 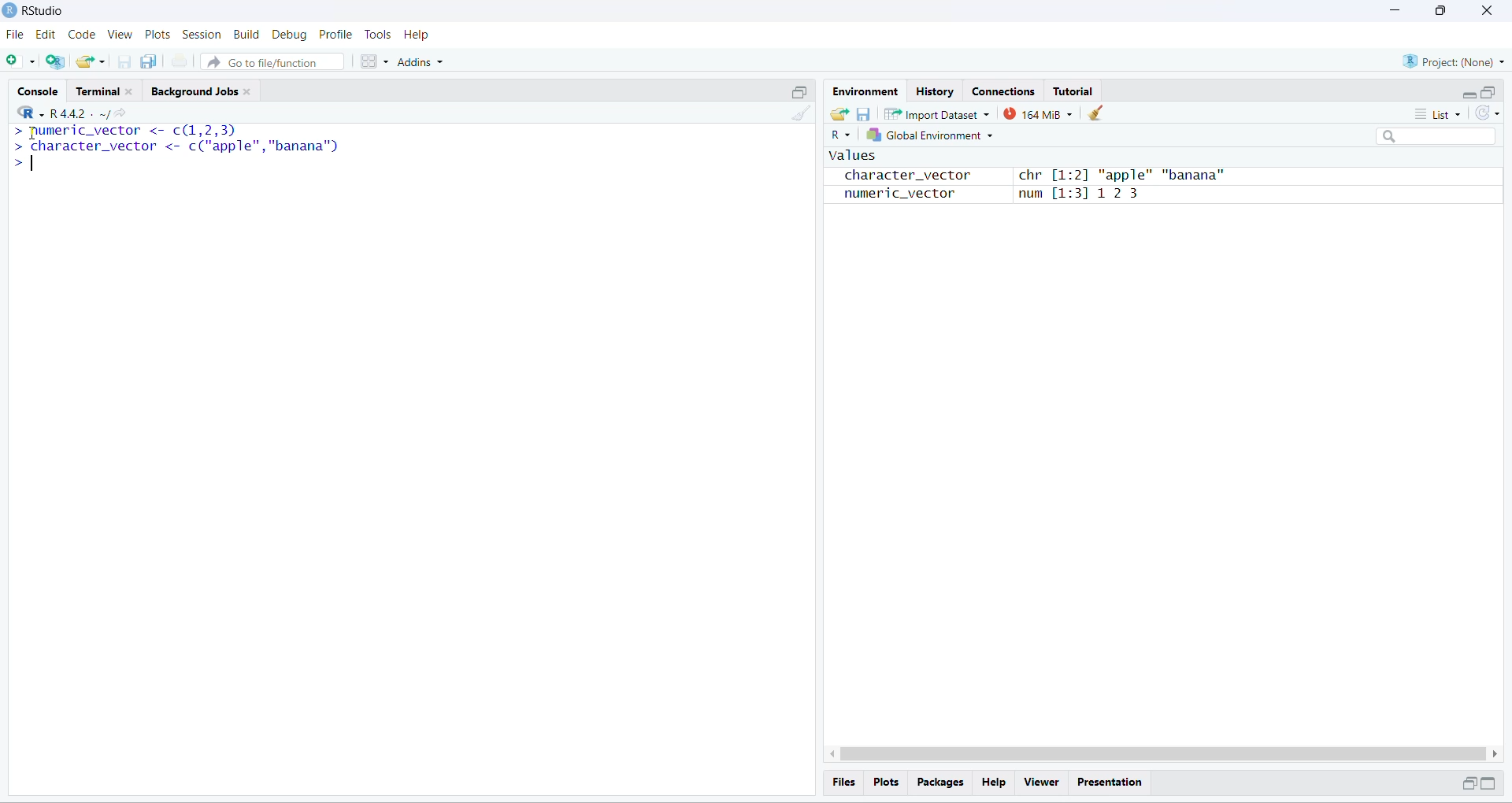 What do you see at coordinates (1098, 113) in the screenshot?
I see `clear` at bounding box center [1098, 113].